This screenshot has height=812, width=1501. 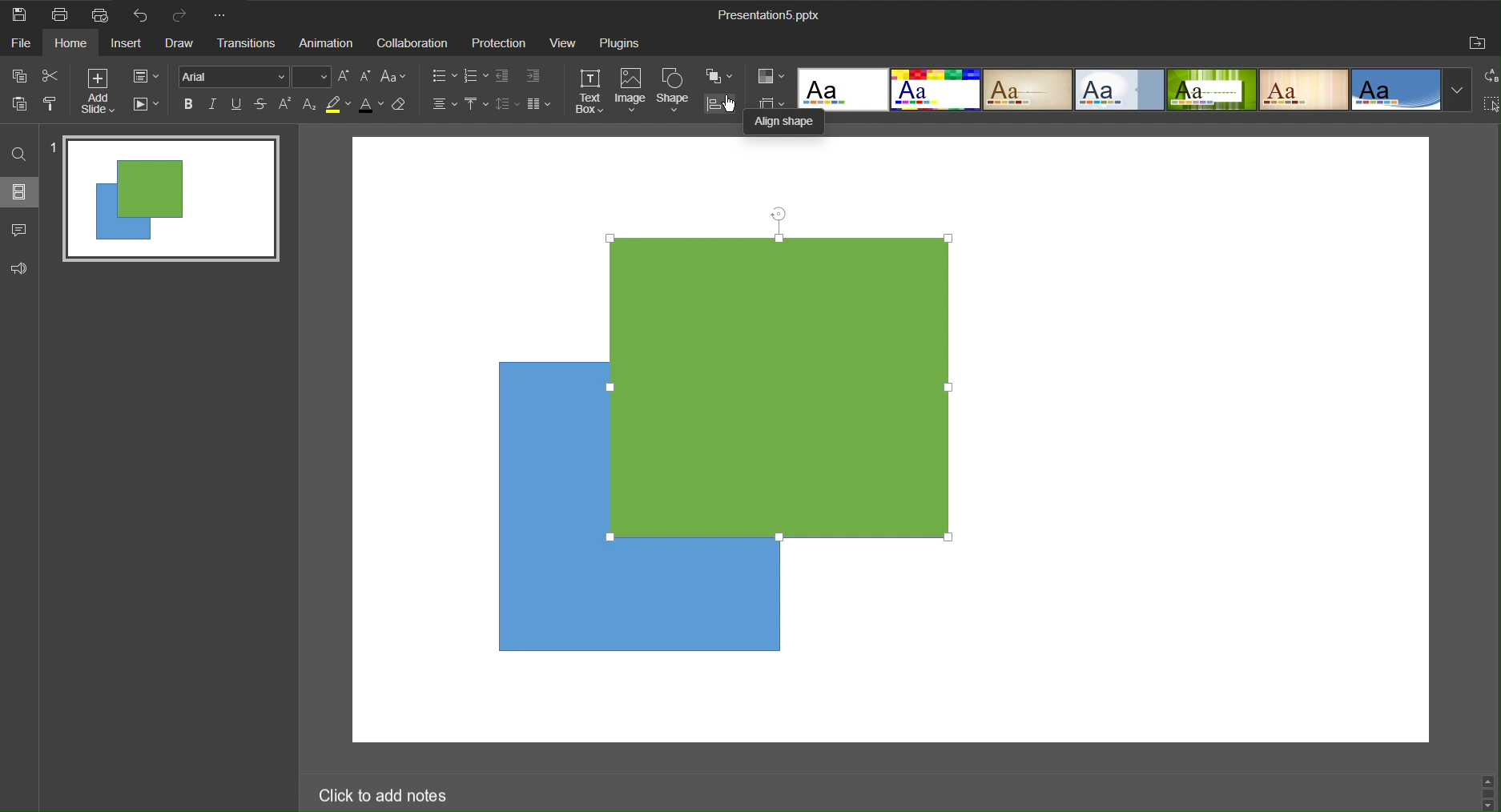 What do you see at coordinates (183, 14) in the screenshot?
I see `Redo` at bounding box center [183, 14].